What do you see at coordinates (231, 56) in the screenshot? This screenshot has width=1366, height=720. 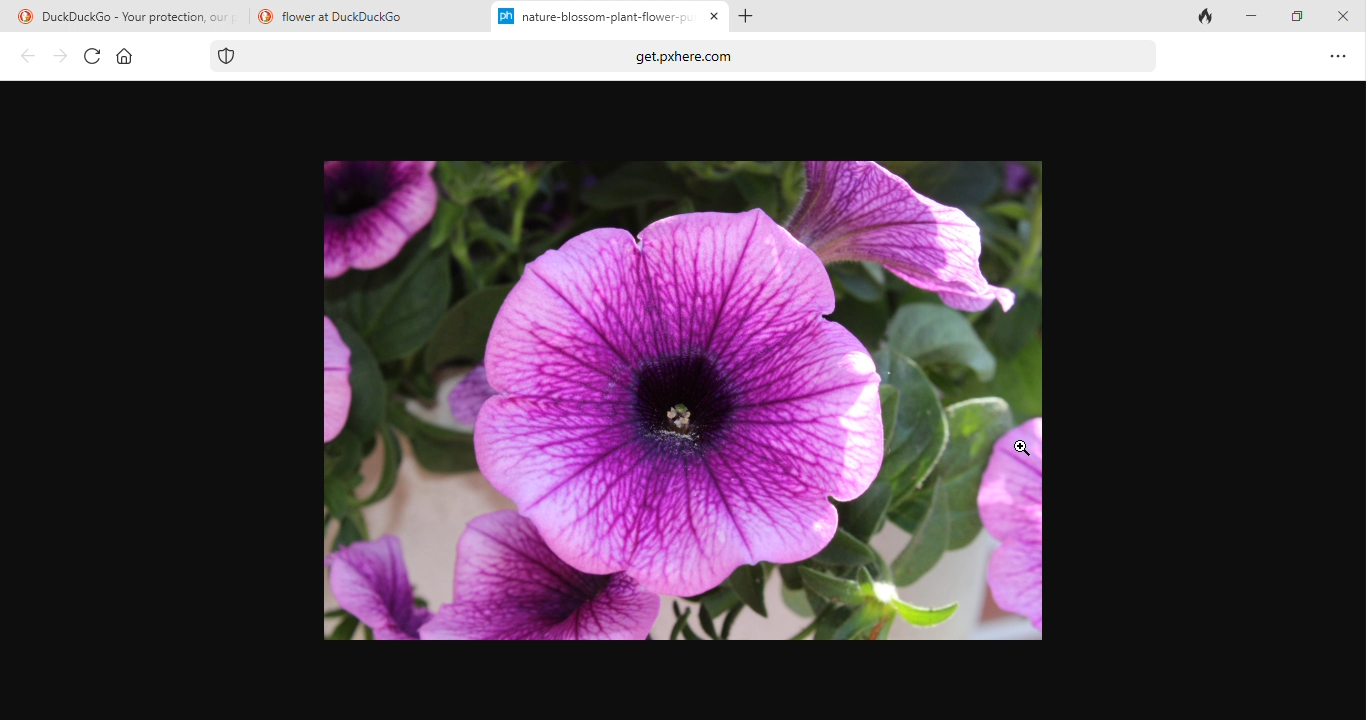 I see `tracking` at bounding box center [231, 56].